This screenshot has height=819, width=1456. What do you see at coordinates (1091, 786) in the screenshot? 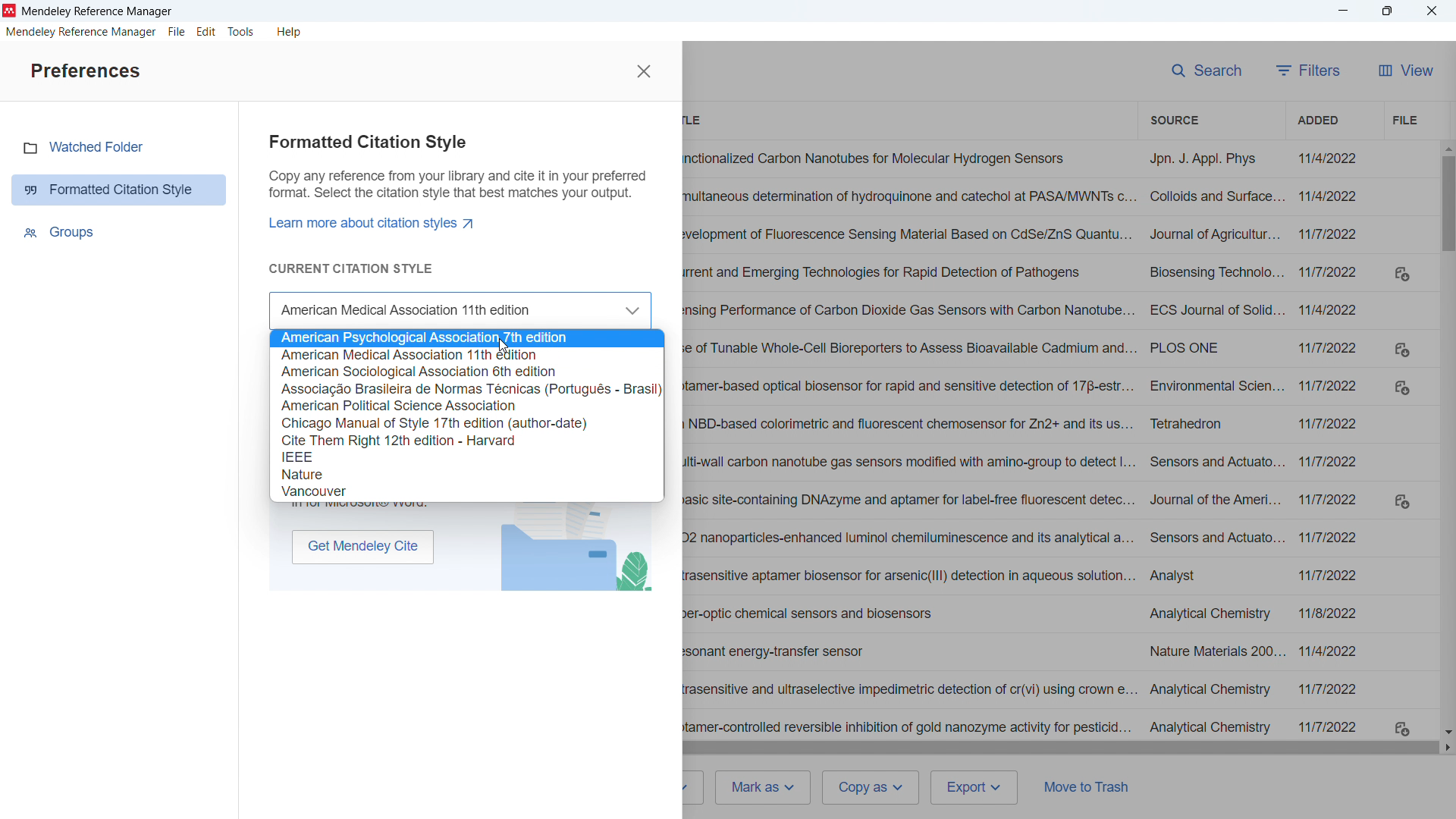
I see `Move to trash ` at bounding box center [1091, 786].